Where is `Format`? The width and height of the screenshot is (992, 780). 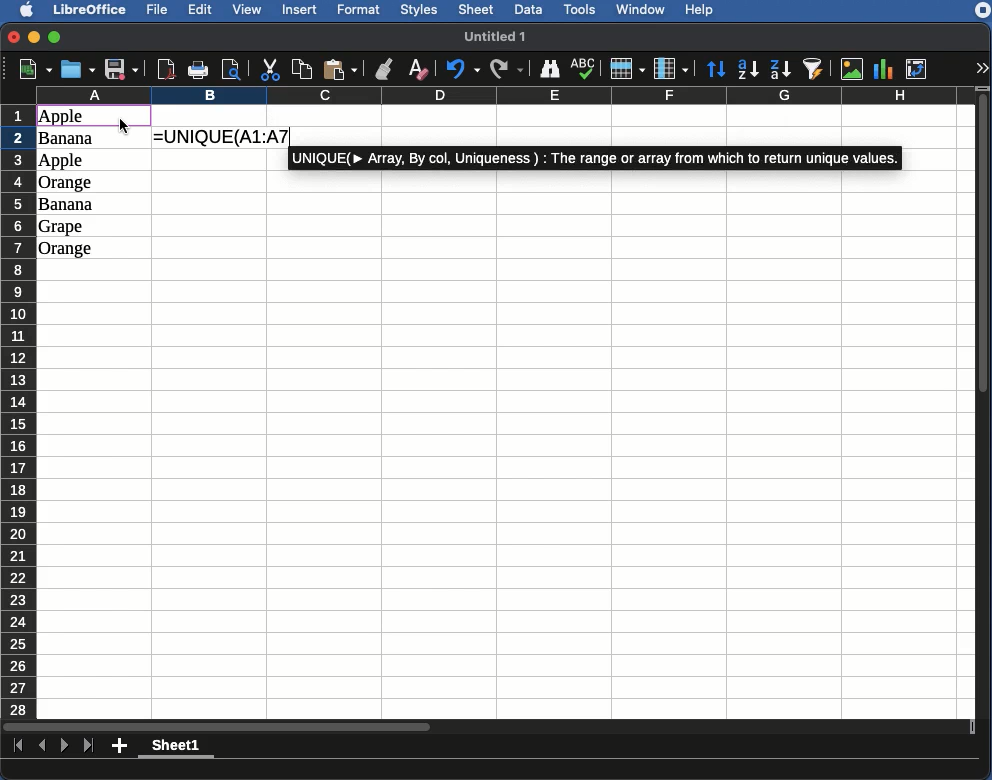 Format is located at coordinates (361, 10).